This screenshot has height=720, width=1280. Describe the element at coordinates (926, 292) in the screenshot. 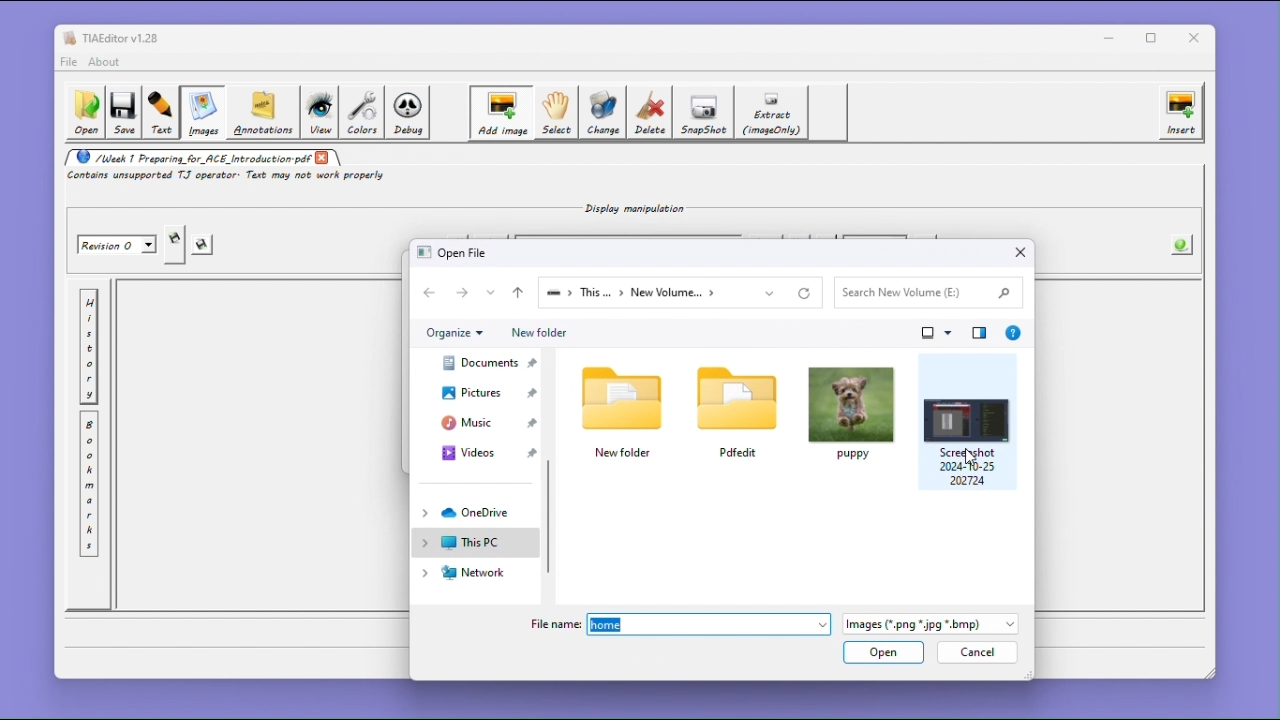

I see `Search New Volume (E:)` at that location.